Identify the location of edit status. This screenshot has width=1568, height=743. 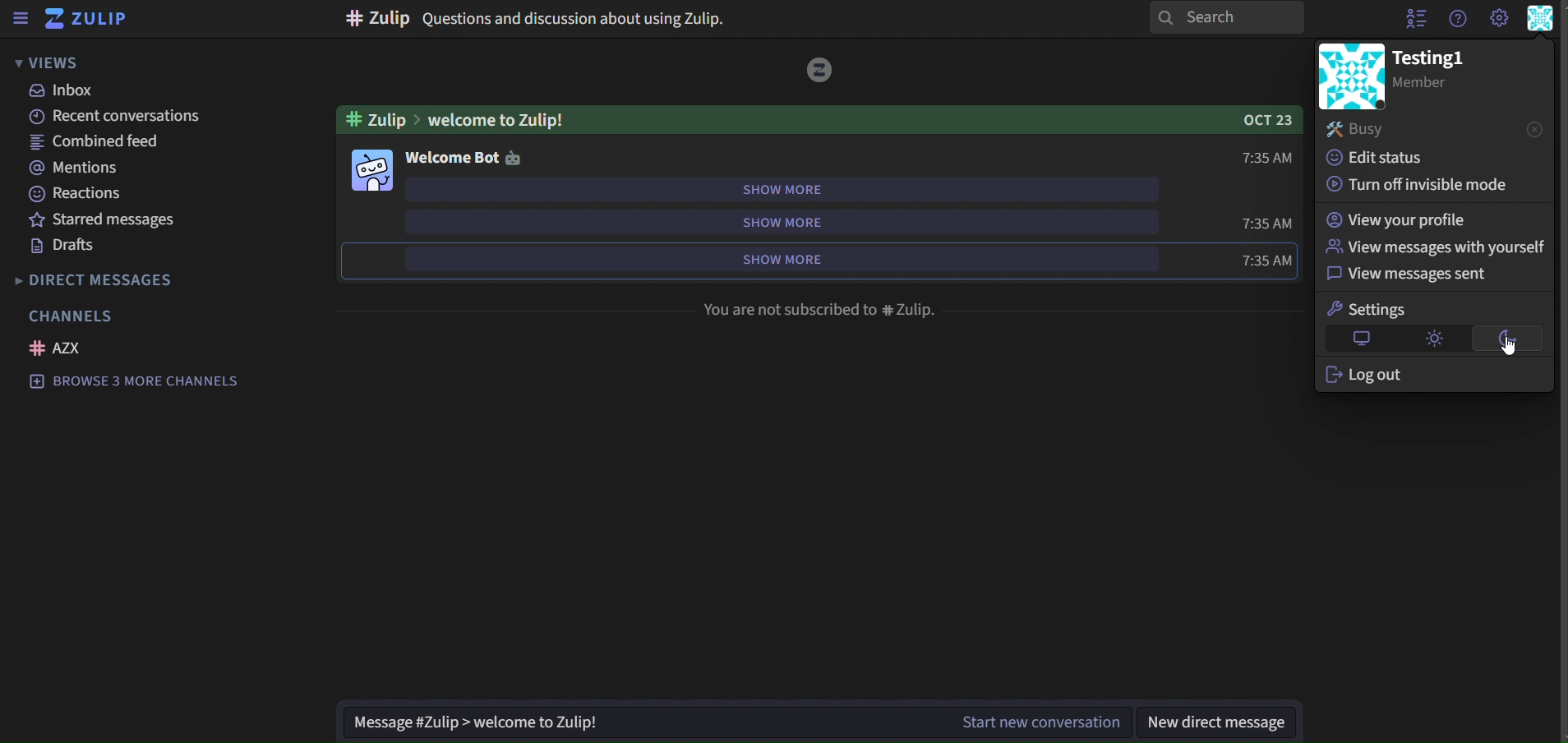
(1384, 159).